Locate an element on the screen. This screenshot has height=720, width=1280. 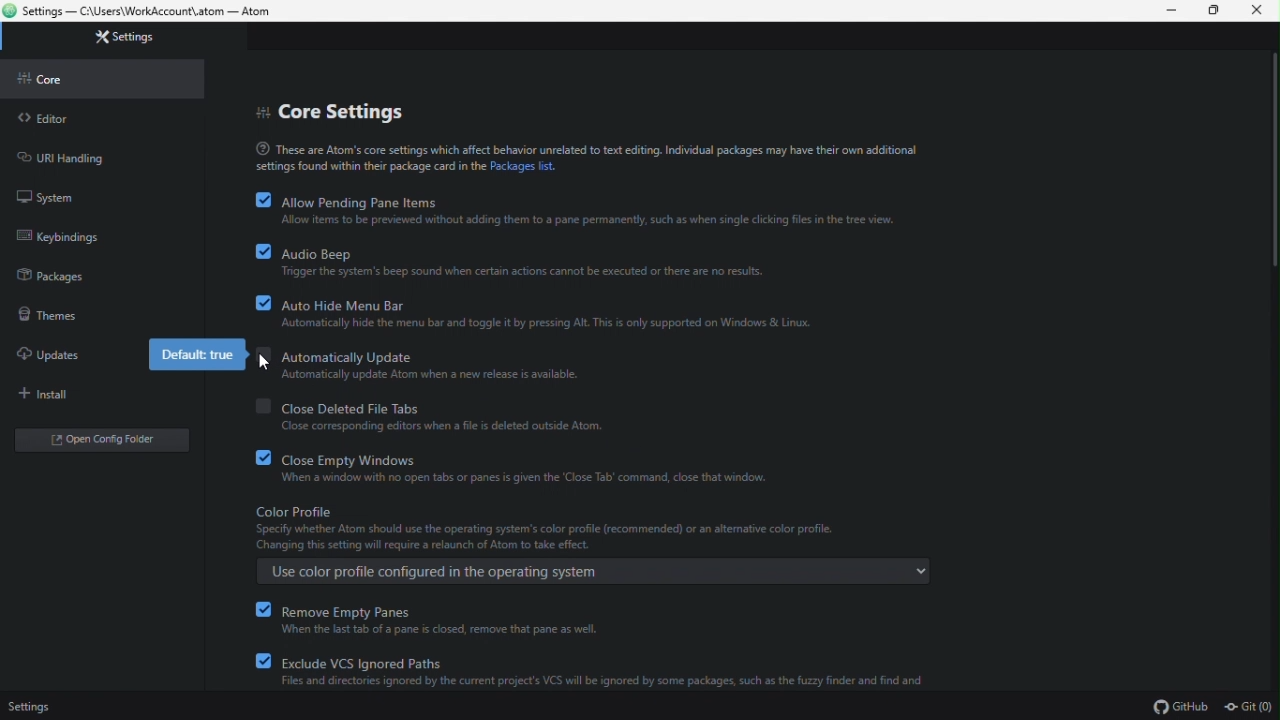
keybinding is located at coordinates (58, 232).